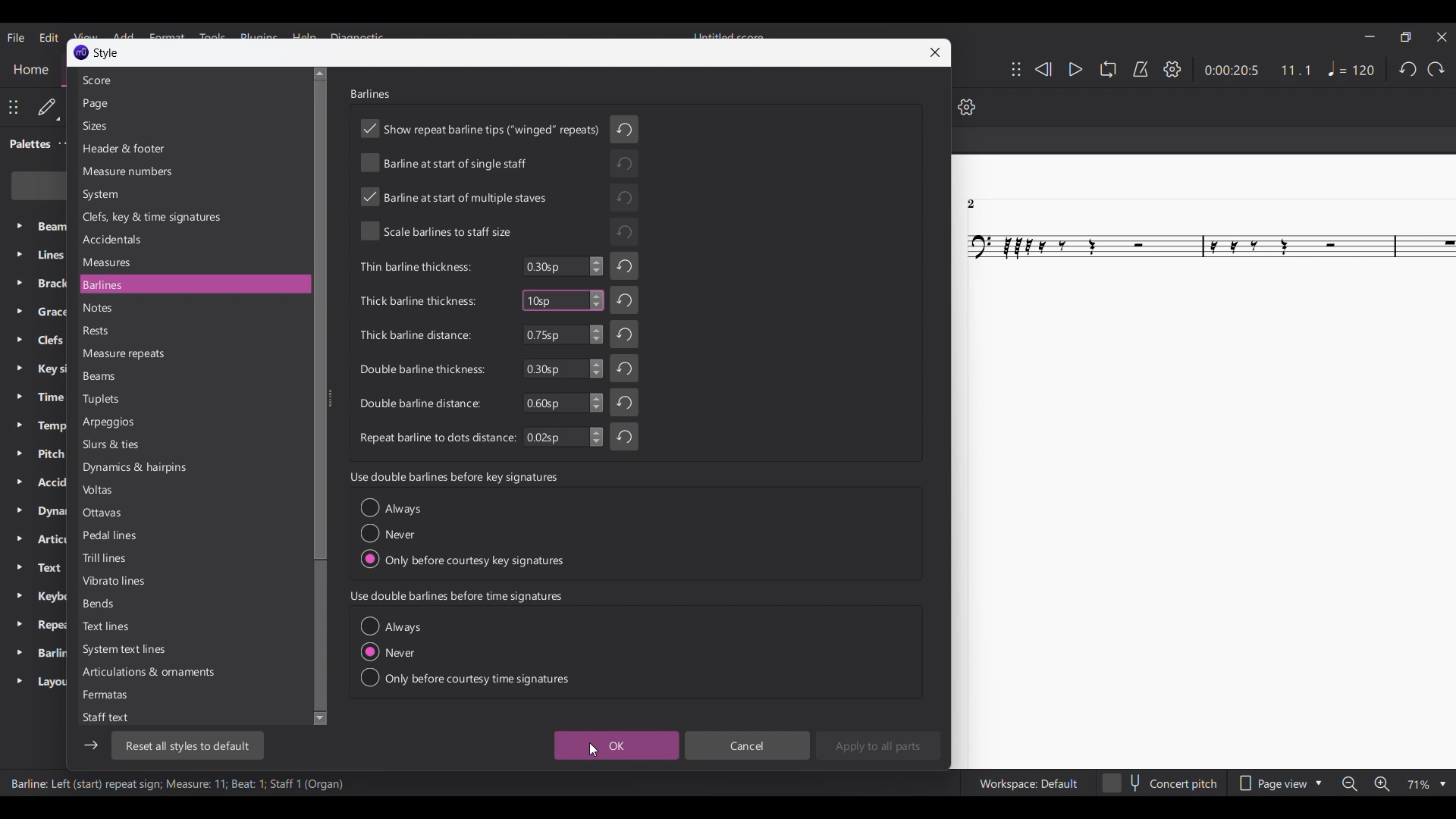  Describe the element at coordinates (1076, 70) in the screenshot. I see `Play` at that location.